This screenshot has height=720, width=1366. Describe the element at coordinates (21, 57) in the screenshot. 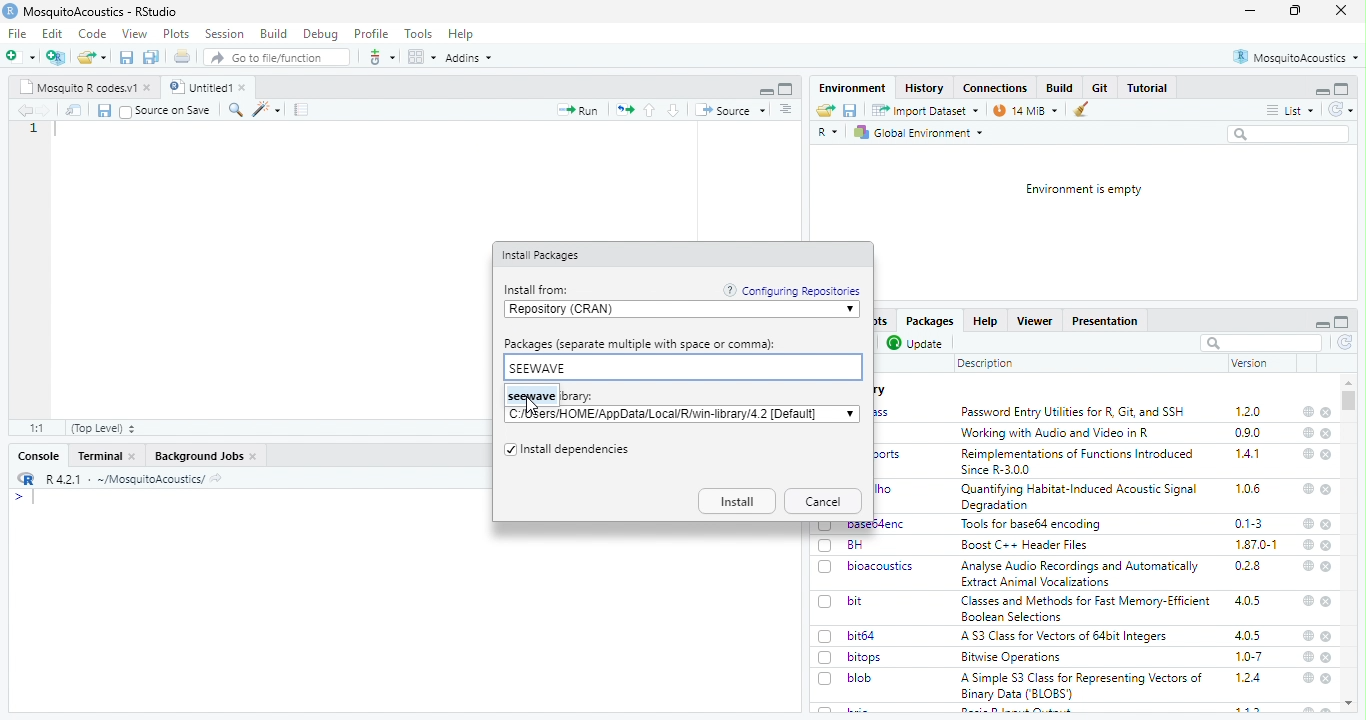

I see `open file` at that location.